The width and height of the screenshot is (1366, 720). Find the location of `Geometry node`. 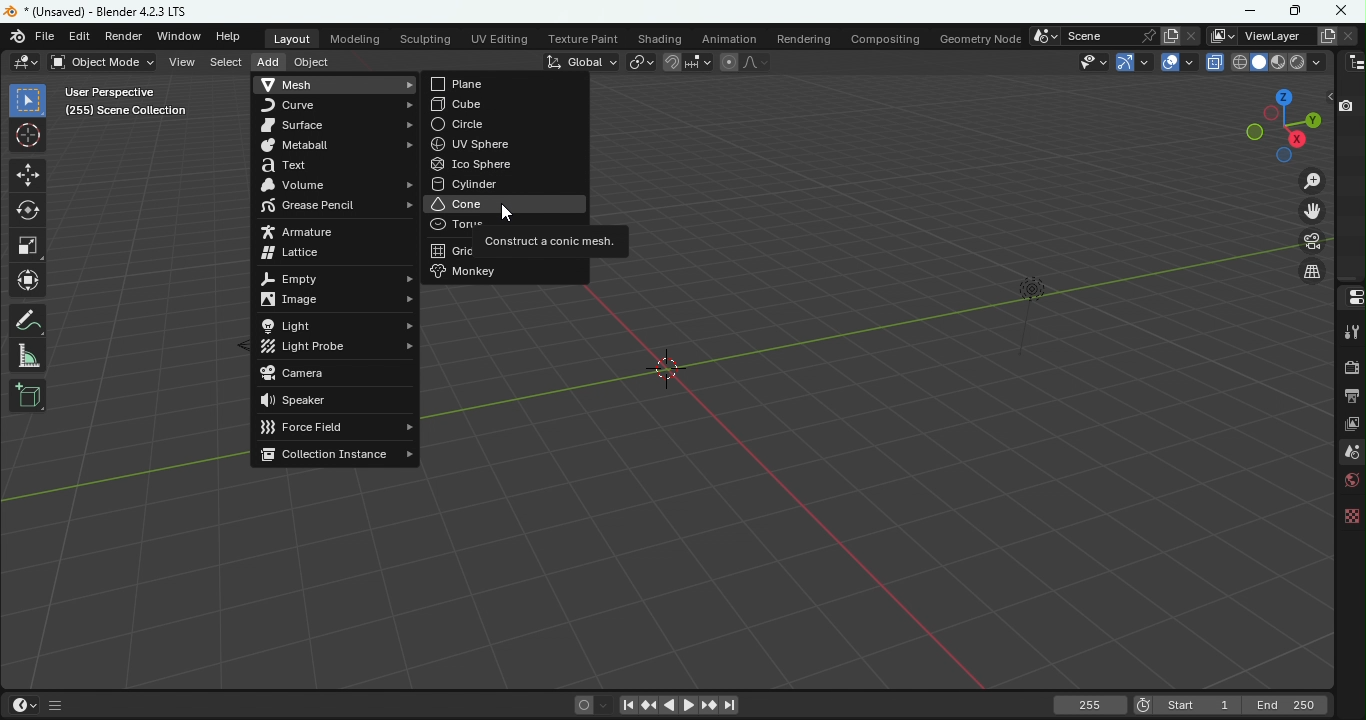

Geometry node is located at coordinates (979, 37).